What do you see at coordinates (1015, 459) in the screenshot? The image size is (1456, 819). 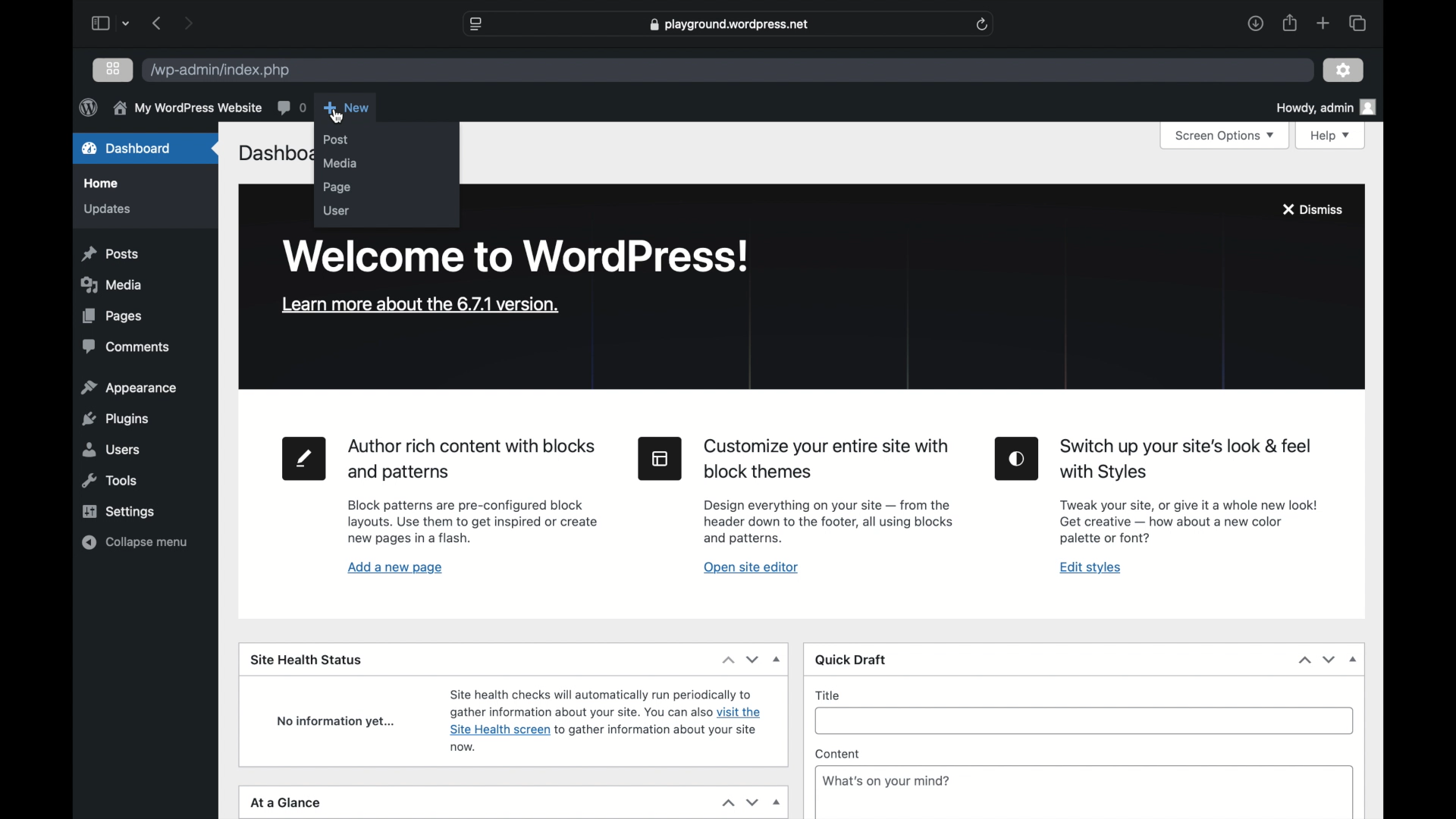 I see `edit styles` at bounding box center [1015, 459].